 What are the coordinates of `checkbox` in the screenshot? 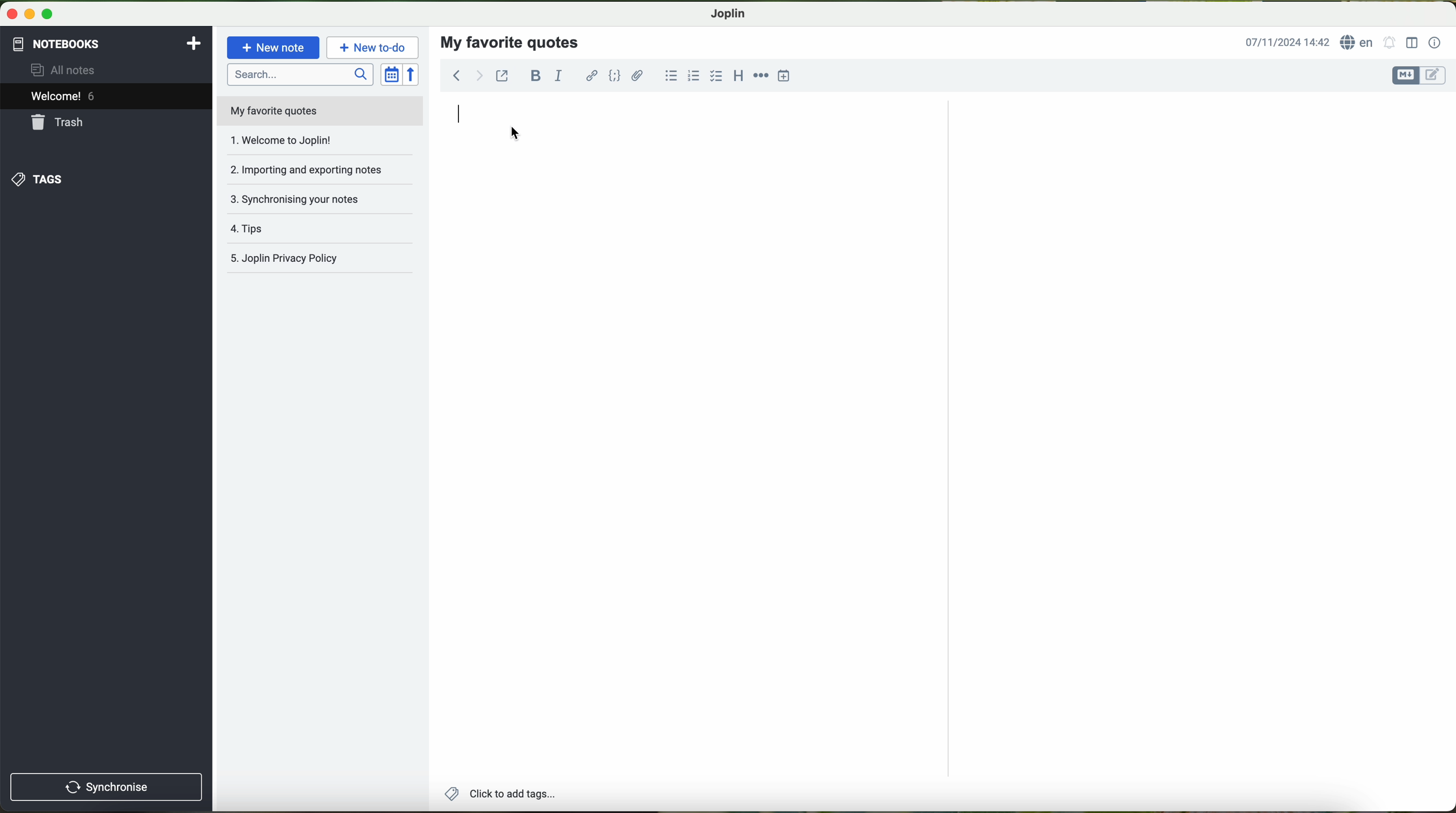 It's located at (716, 77).